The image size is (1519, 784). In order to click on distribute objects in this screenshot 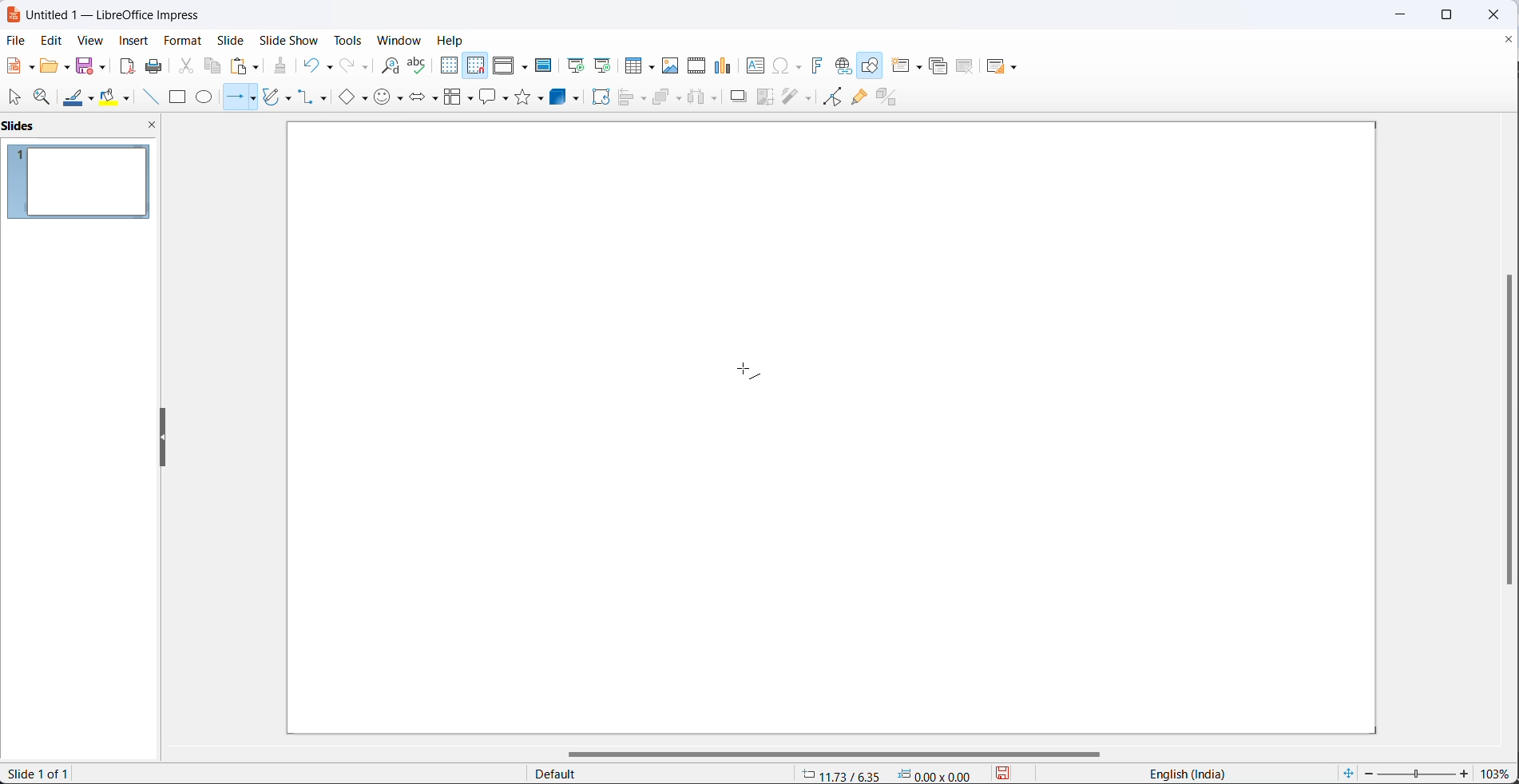, I will do `click(704, 99)`.